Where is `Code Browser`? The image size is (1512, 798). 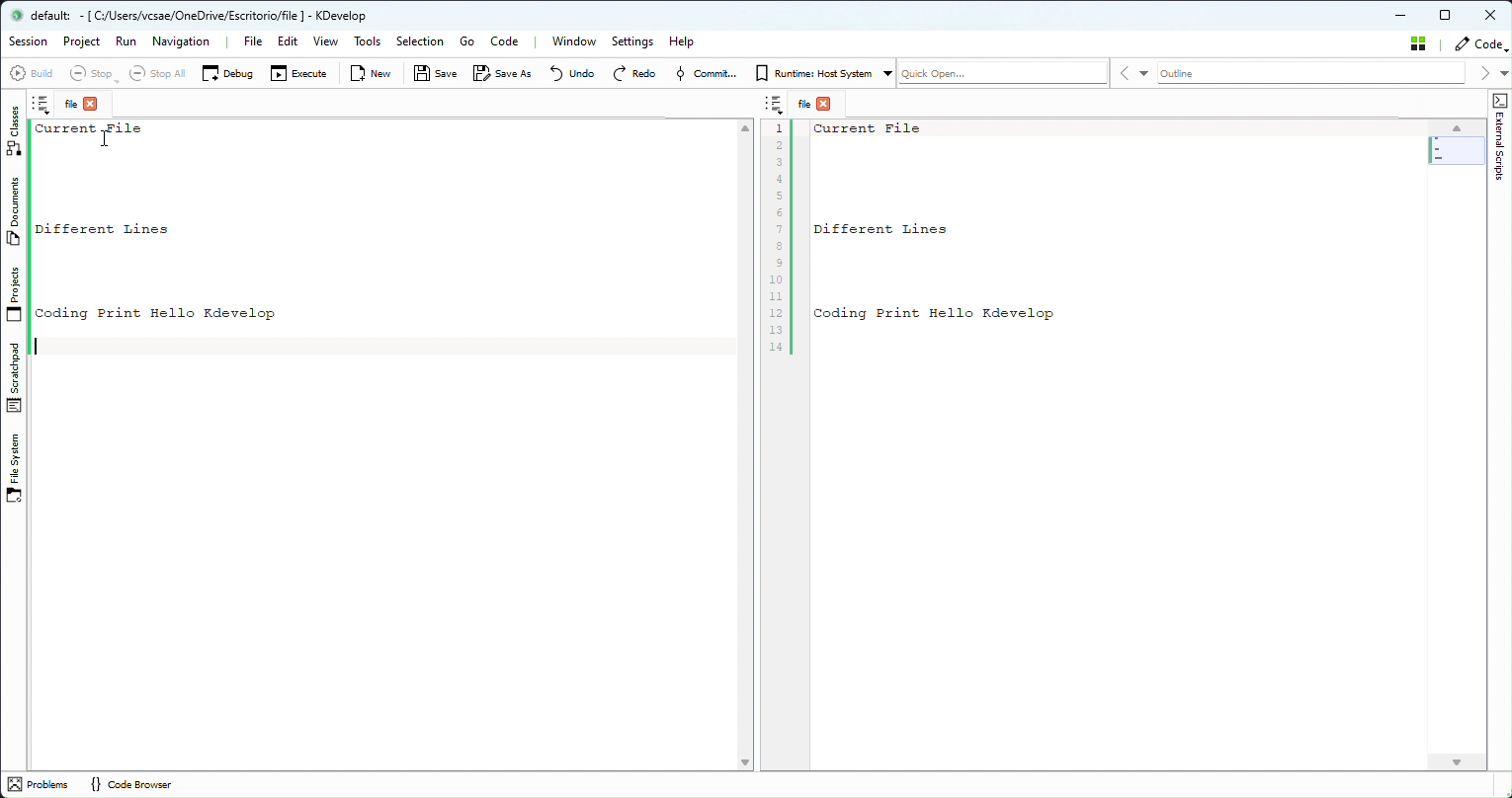 Code Browser is located at coordinates (138, 784).